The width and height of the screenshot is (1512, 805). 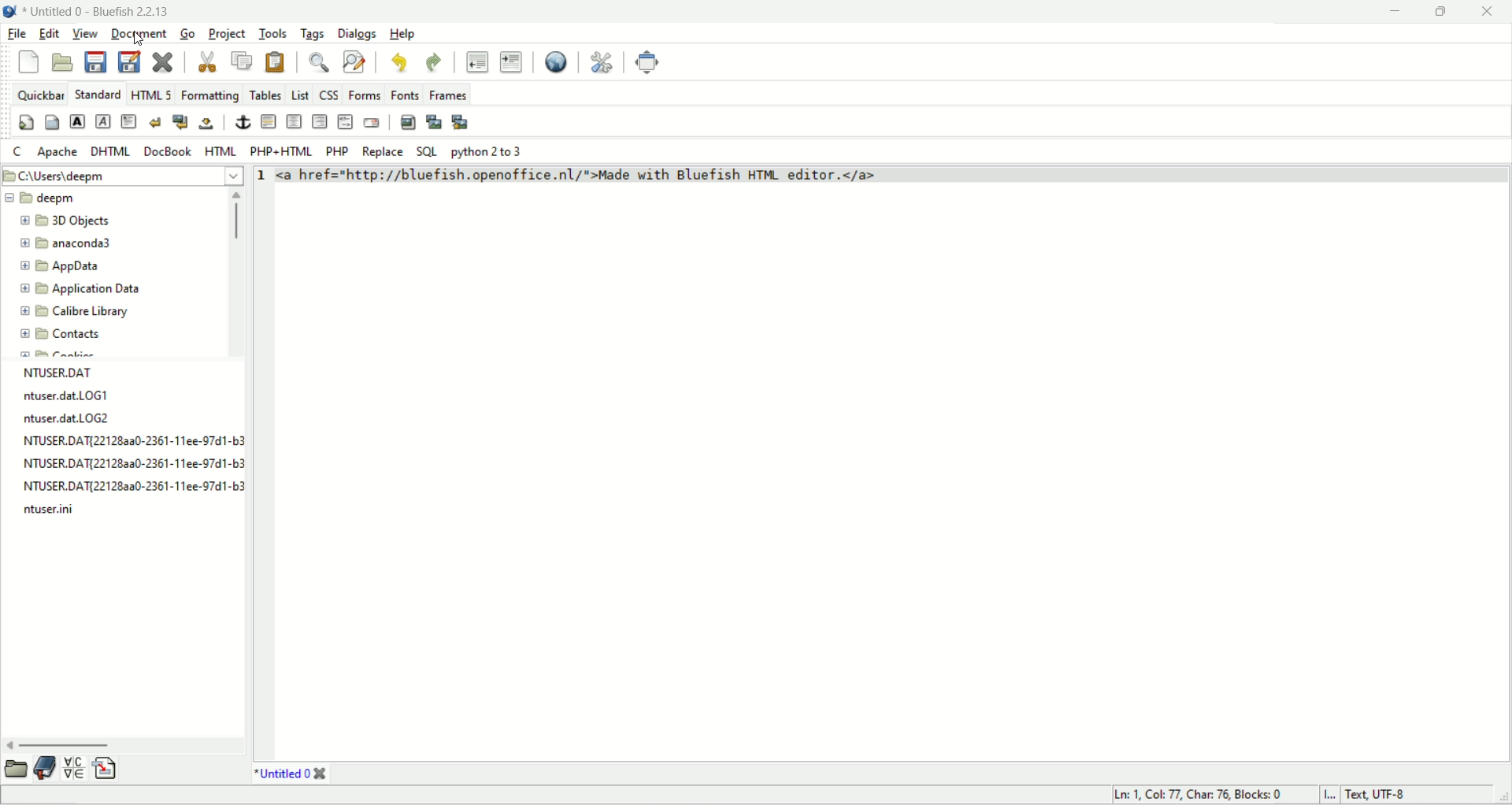 What do you see at coordinates (258, 179) in the screenshot?
I see `line number` at bounding box center [258, 179].